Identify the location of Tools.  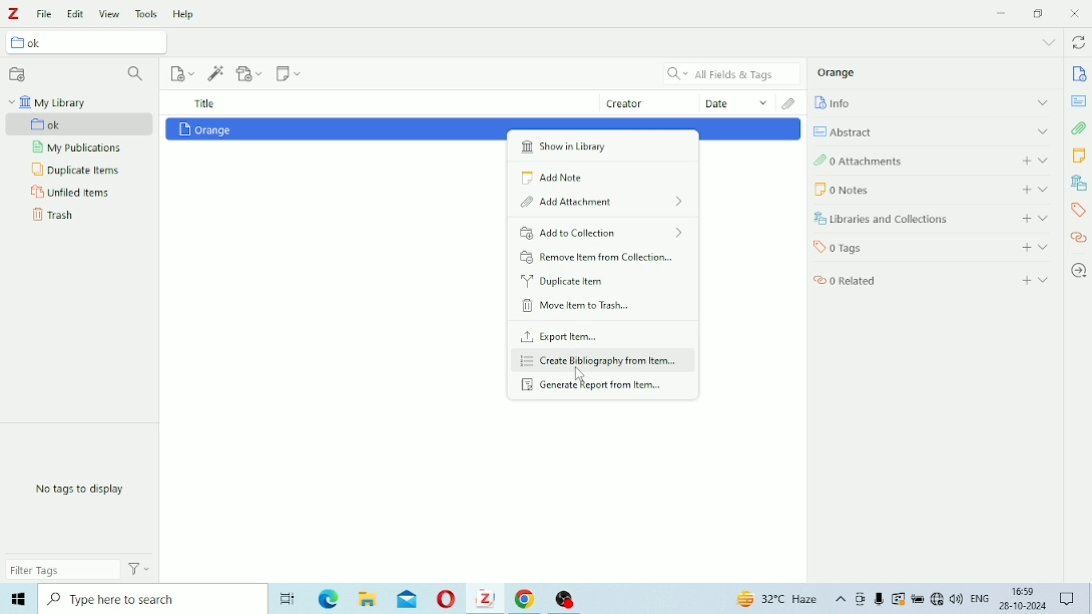
(147, 13).